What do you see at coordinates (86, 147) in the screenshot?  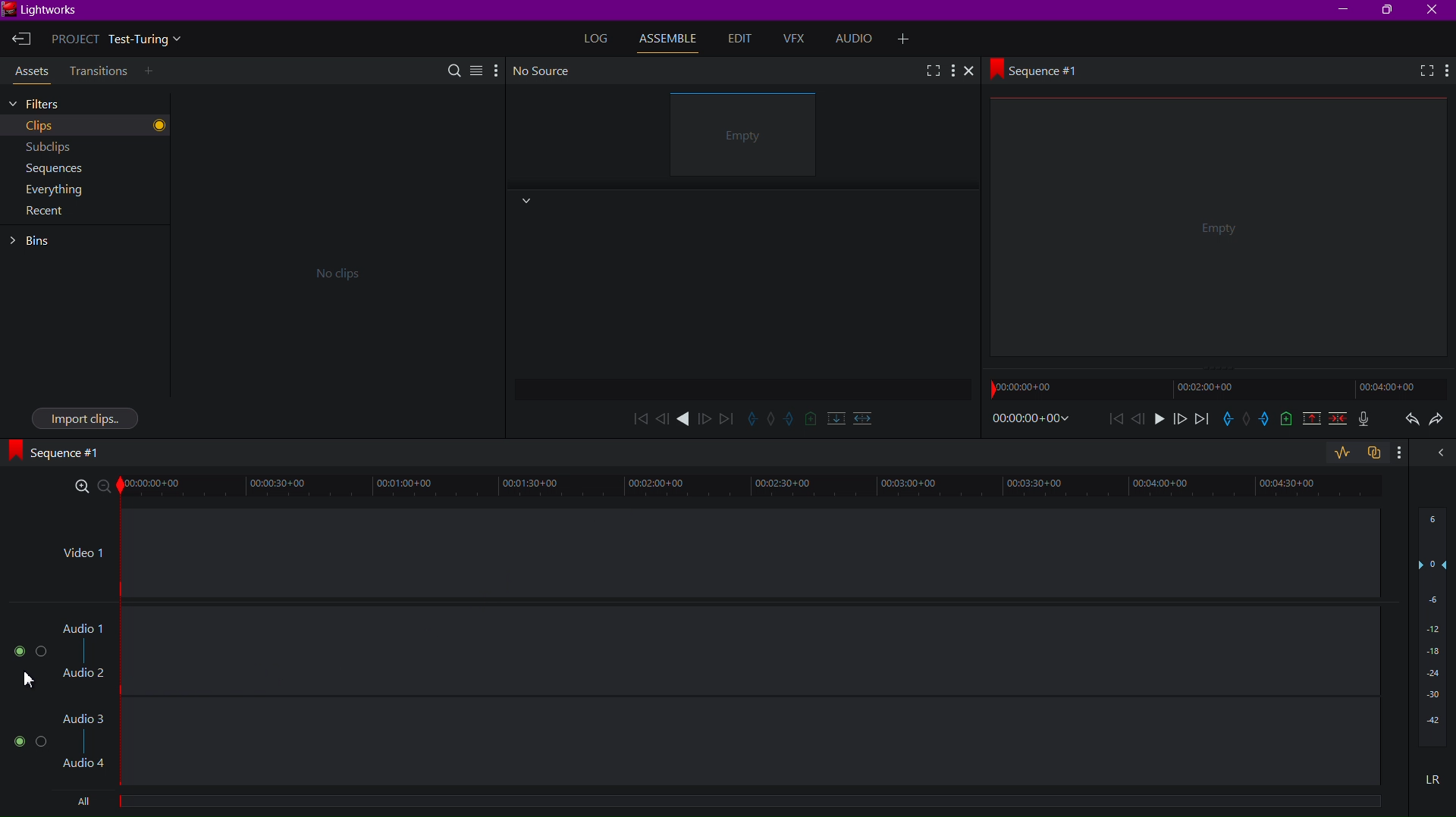 I see `Subclips` at bounding box center [86, 147].